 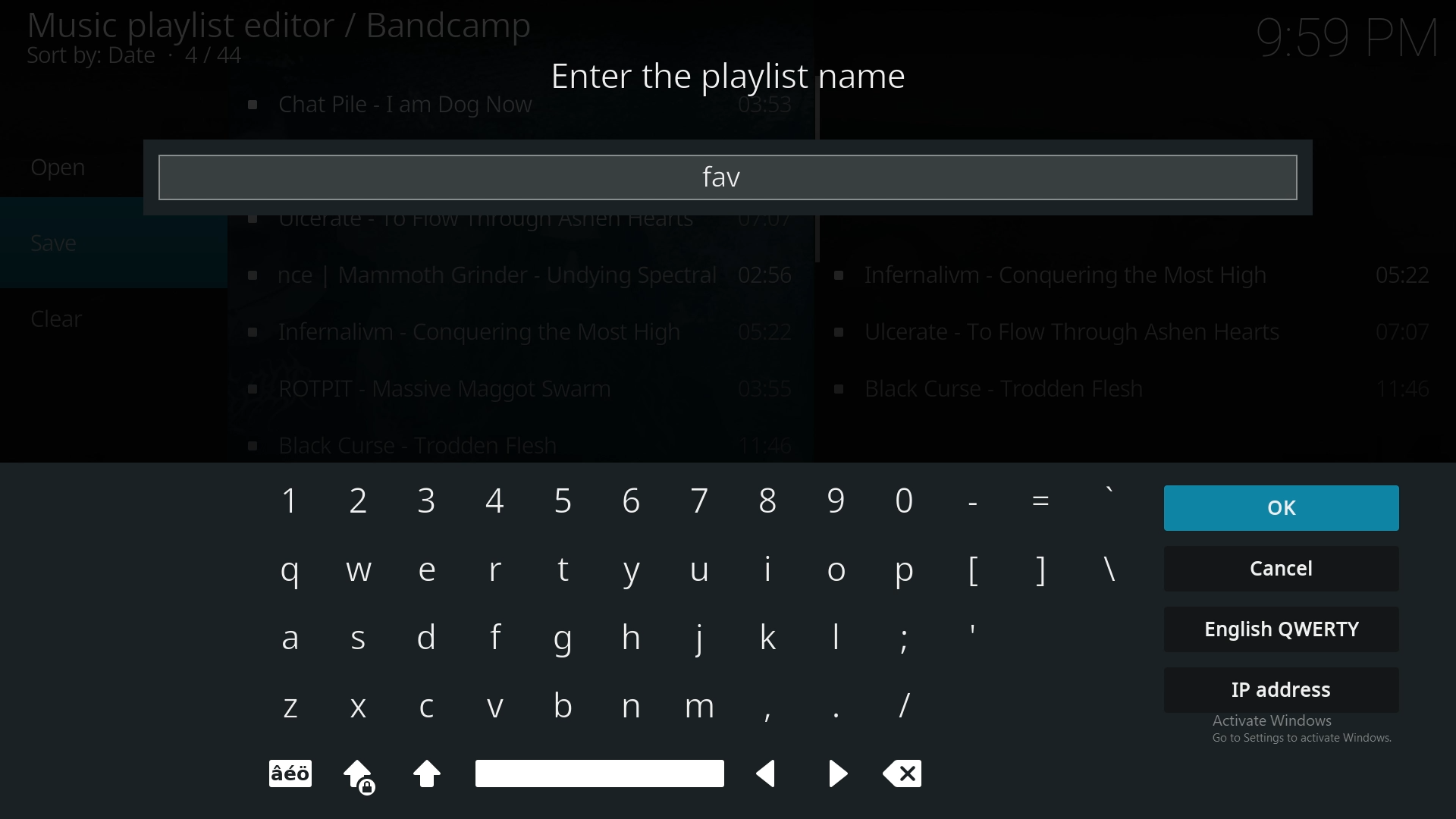 I want to click on keyboard input, so click(x=435, y=573).